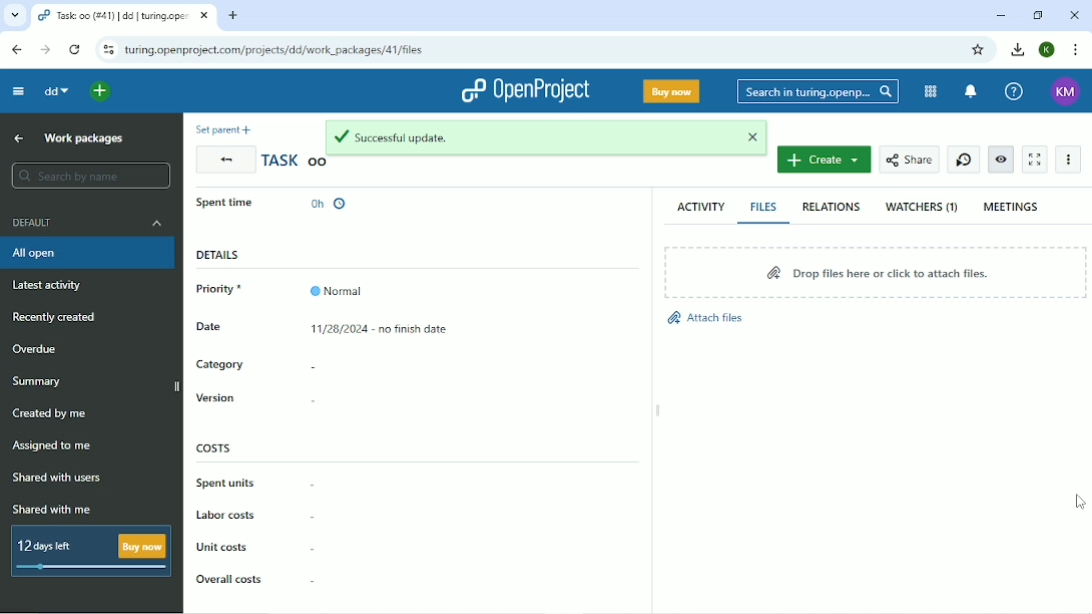 This screenshot has height=614, width=1092. Describe the element at coordinates (227, 514) in the screenshot. I see `Labor costs` at that location.